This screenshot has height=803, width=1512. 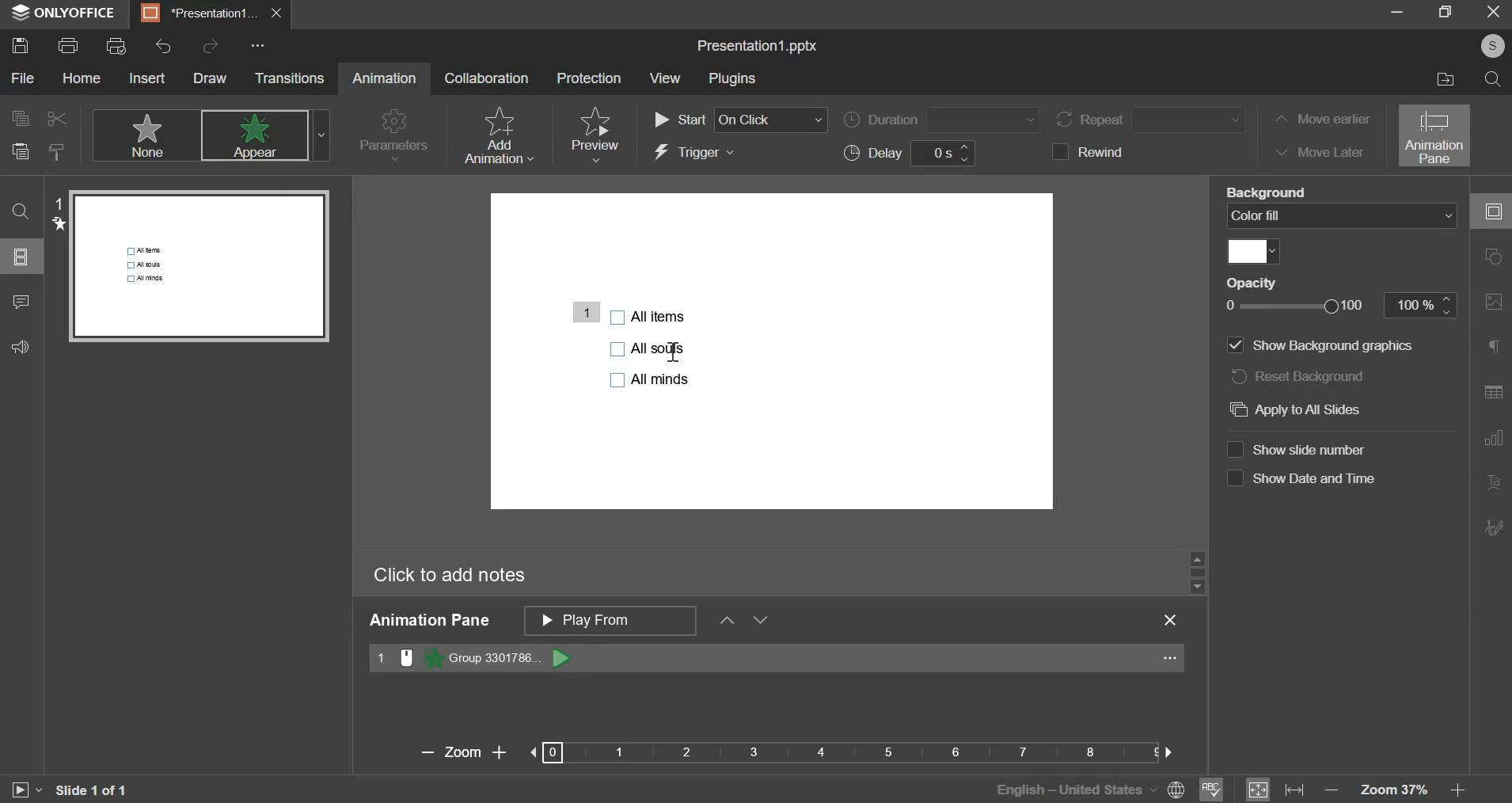 What do you see at coordinates (1305, 409) in the screenshot?
I see `apply to all slides` at bounding box center [1305, 409].